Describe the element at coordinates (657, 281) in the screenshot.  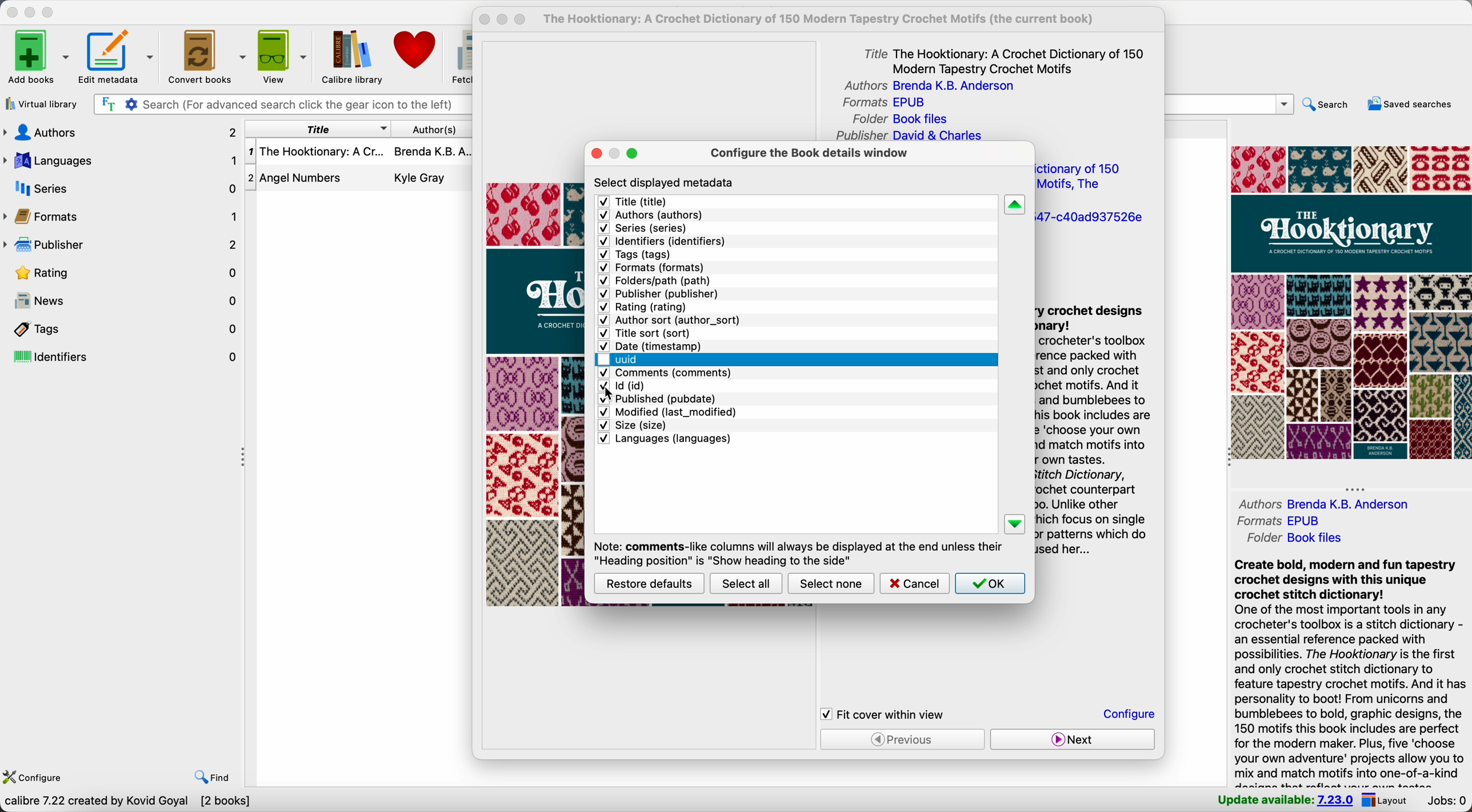
I see `folders/path` at that location.